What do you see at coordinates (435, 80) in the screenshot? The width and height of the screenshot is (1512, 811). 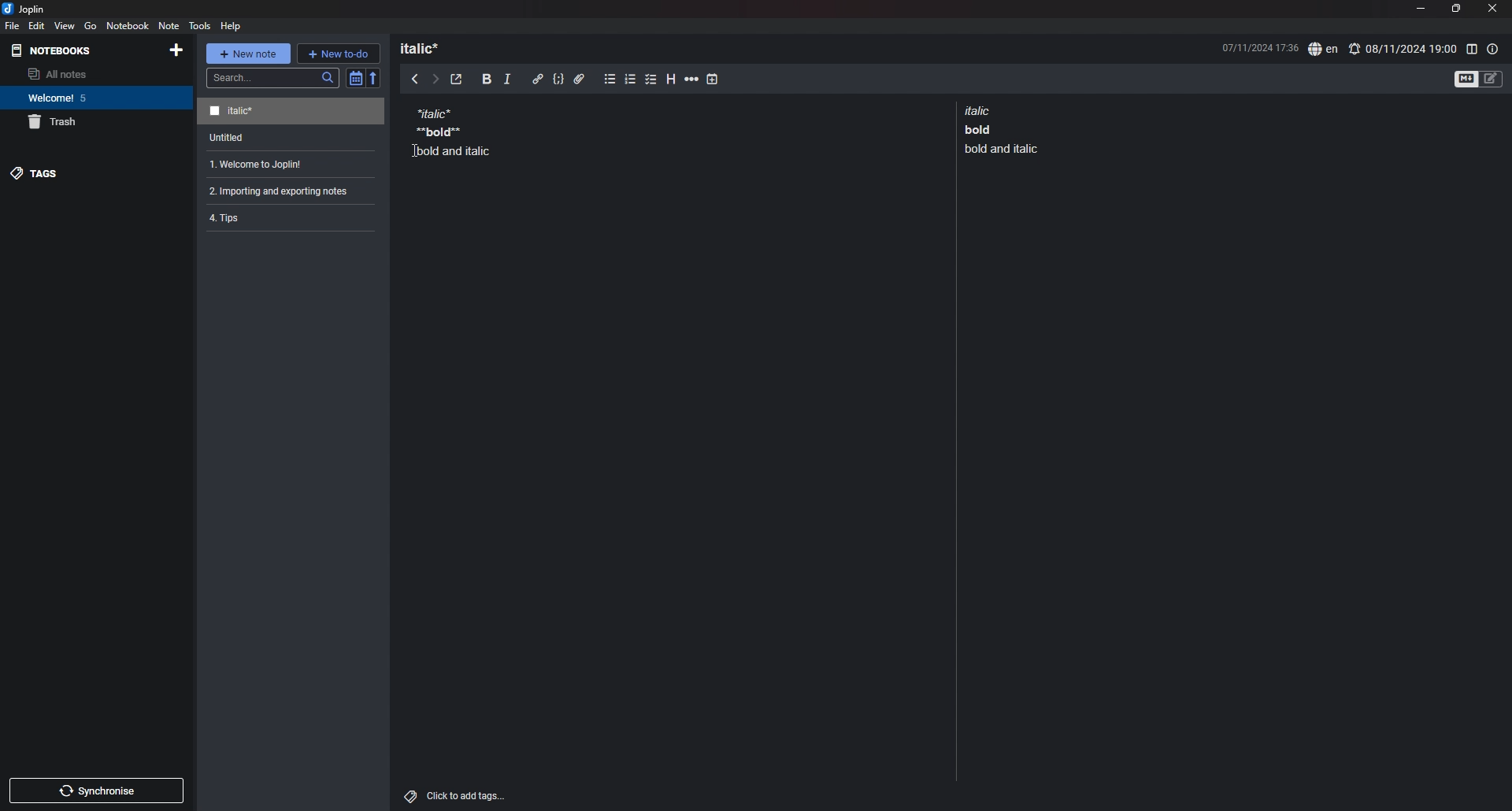 I see `next` at bounding box center [435, 80].